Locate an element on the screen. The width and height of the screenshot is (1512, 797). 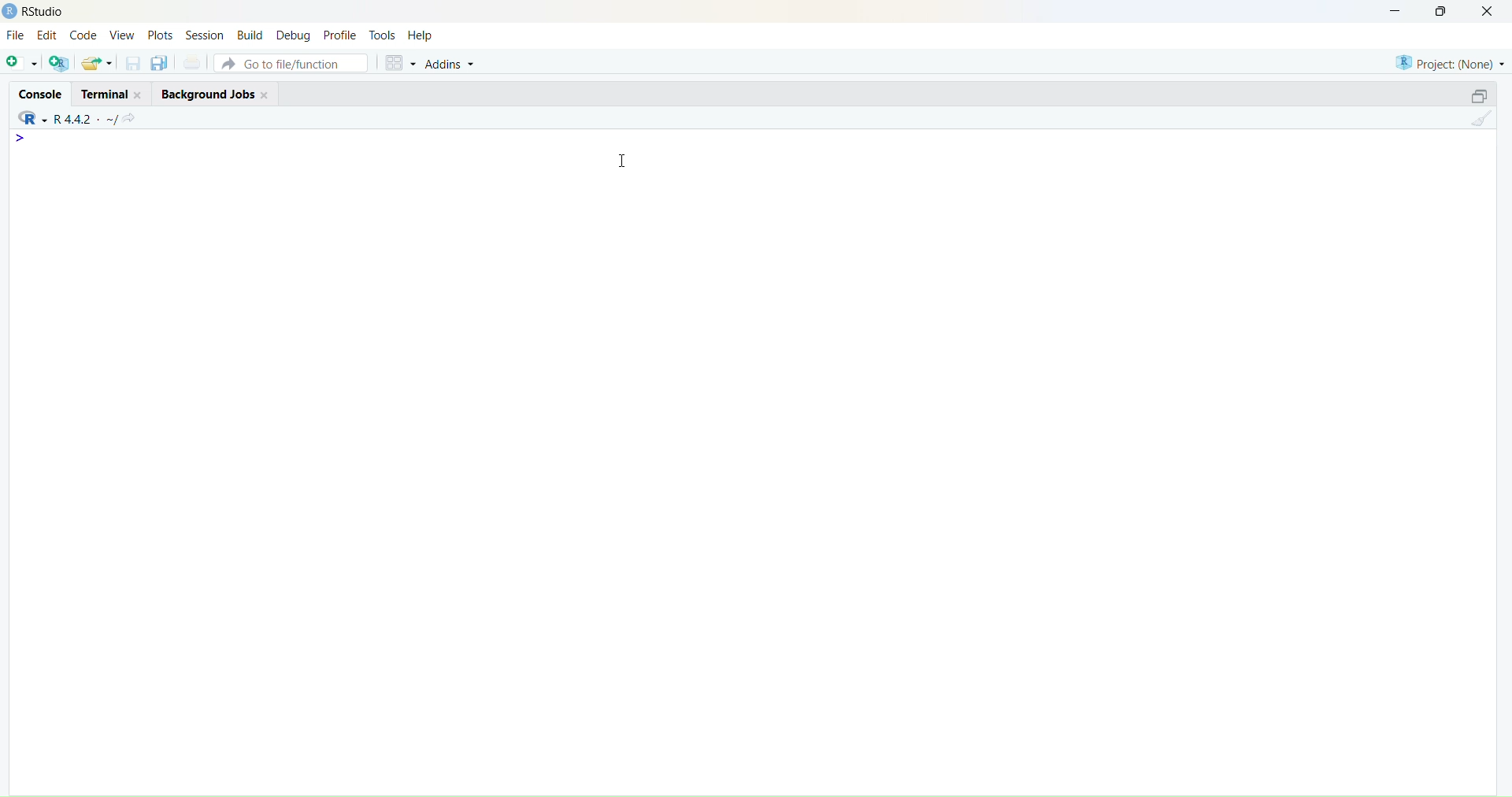
Close is located at coordinates (1492, 16).